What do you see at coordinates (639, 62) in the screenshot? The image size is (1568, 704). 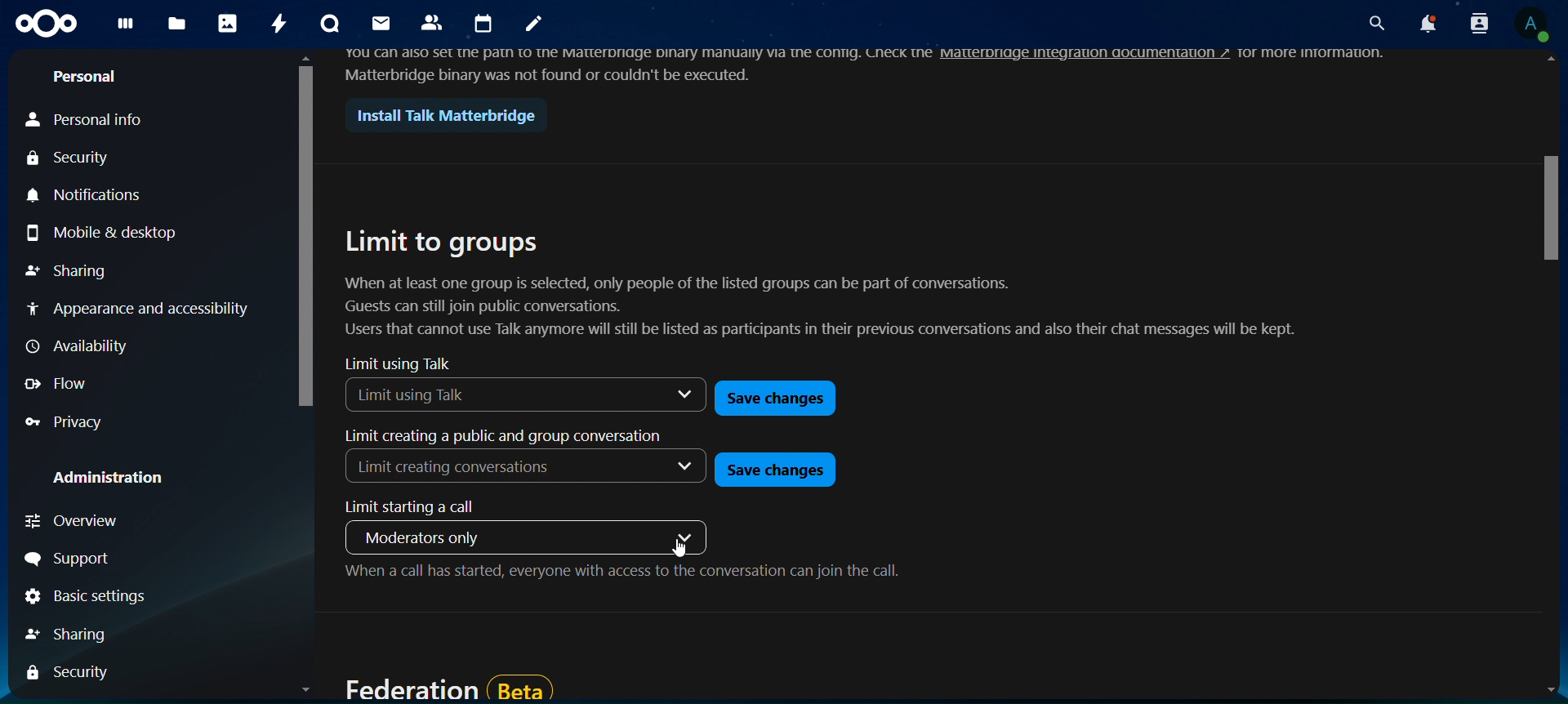 I see `text` at bounding box center [639, 62].